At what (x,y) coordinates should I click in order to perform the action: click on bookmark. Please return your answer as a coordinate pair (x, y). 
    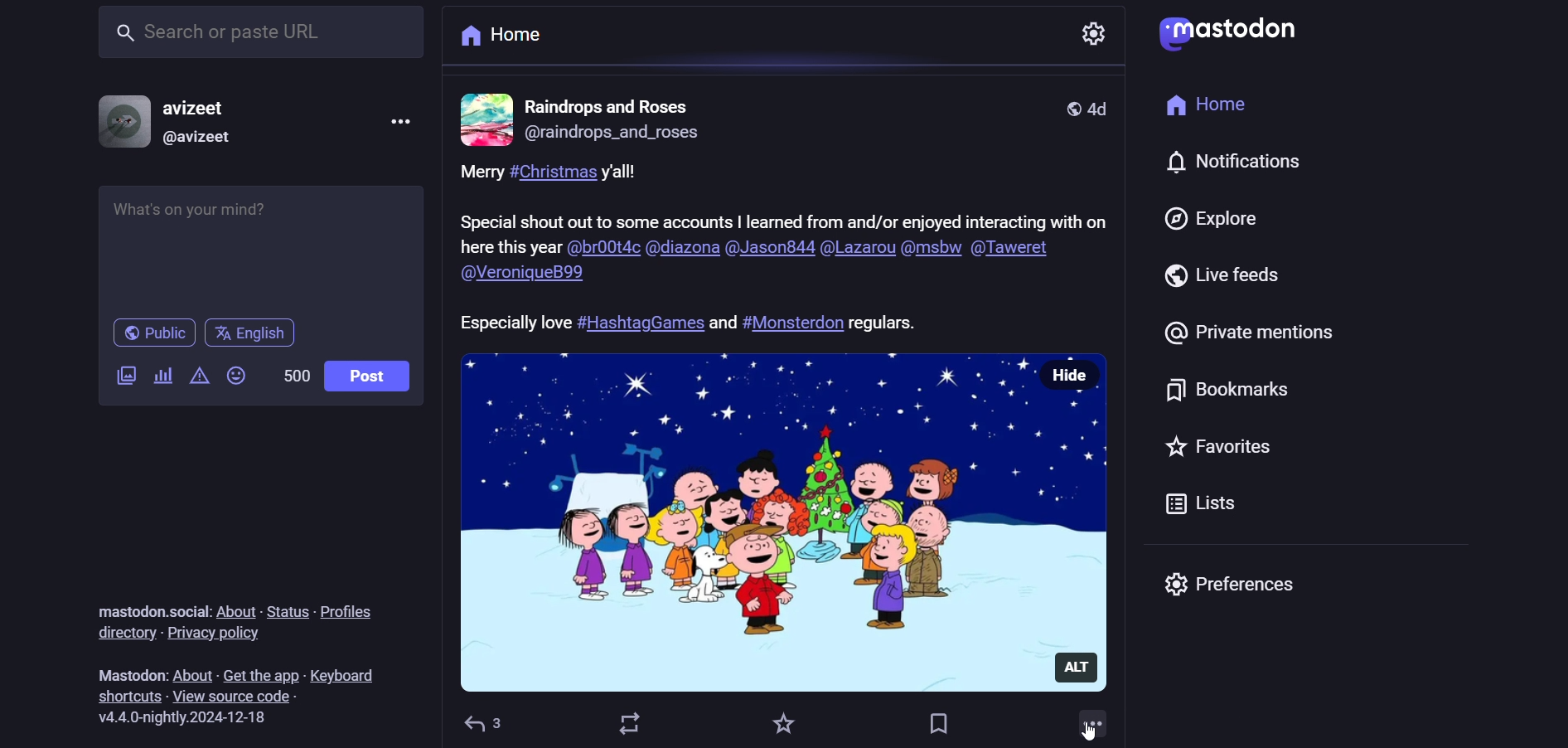
    Looking at the image, I should click on (940, 719).